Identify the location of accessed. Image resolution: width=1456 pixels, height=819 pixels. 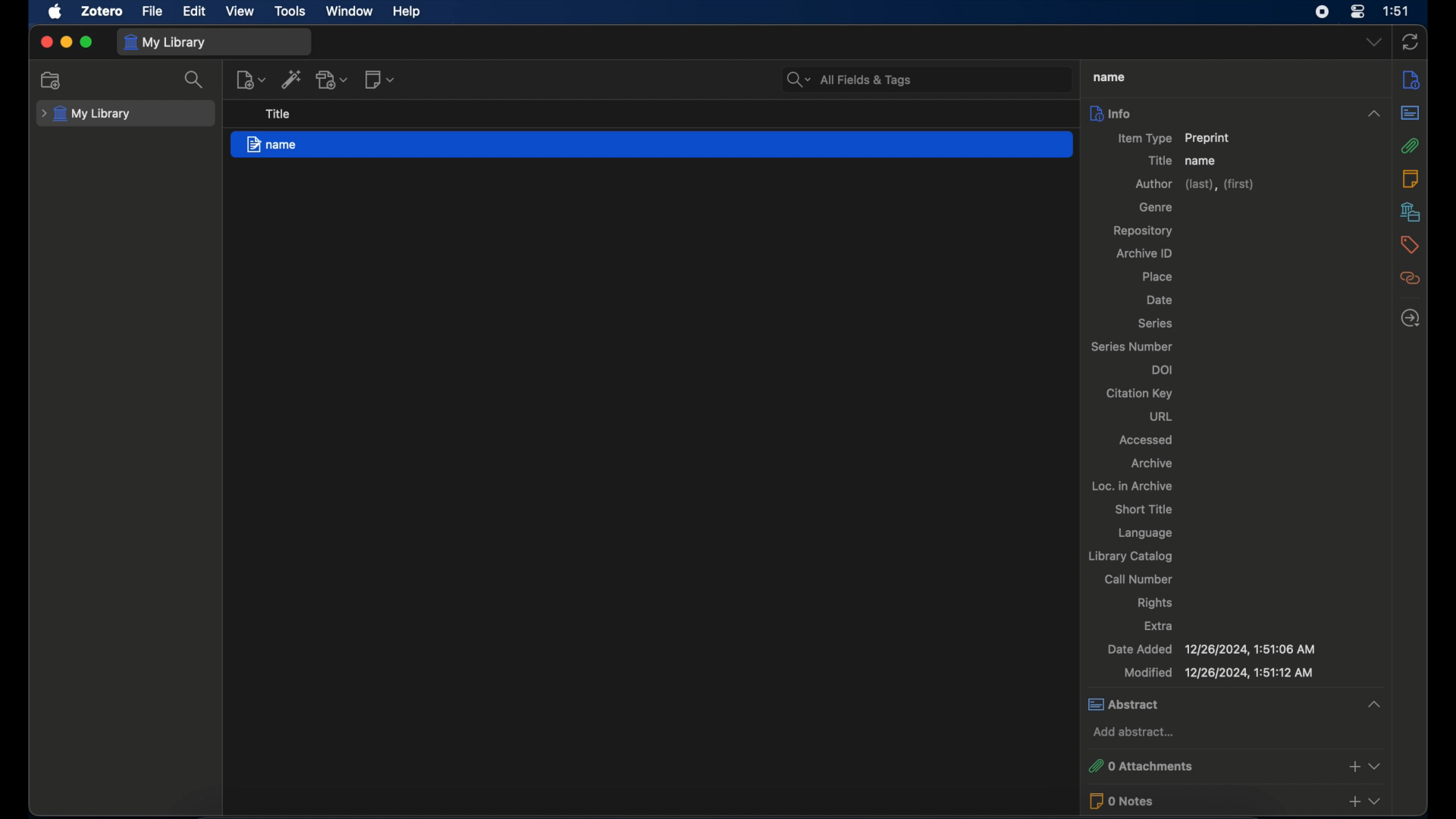
(1146, 440).